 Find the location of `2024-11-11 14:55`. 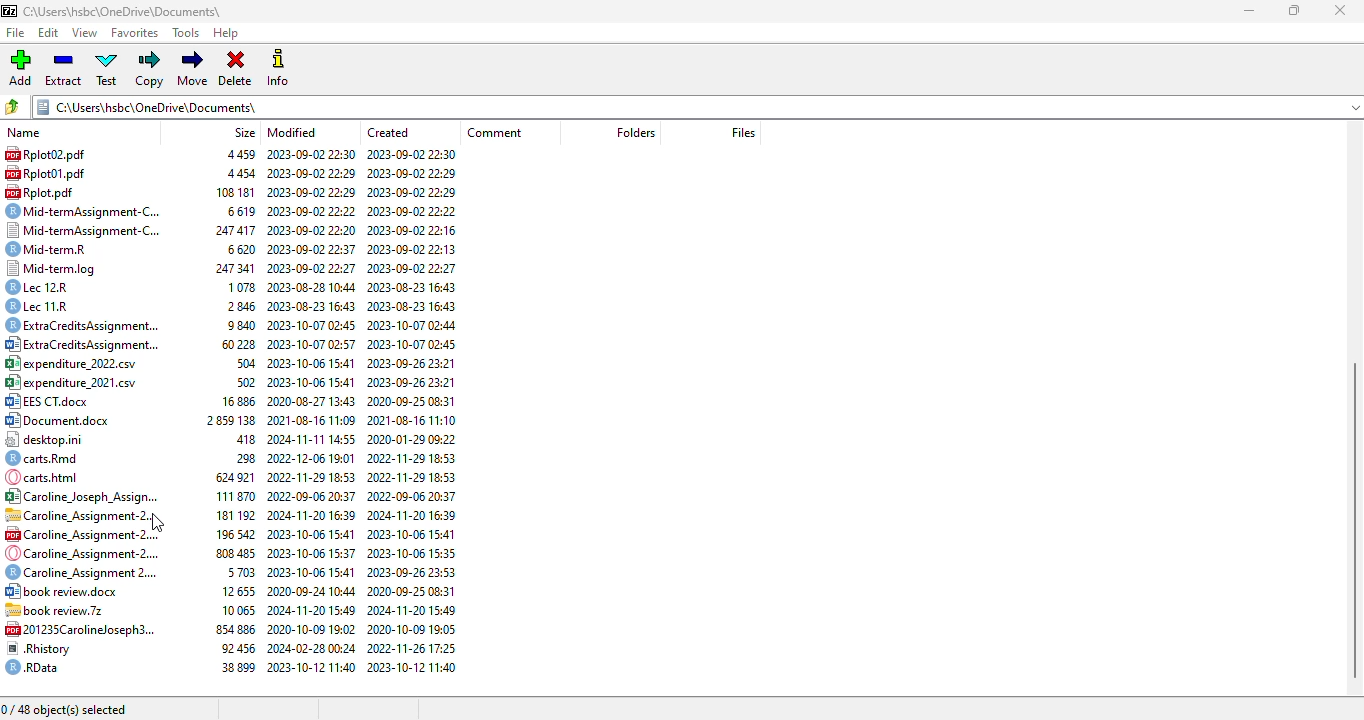

2024-11-11 14:55 is located at coordinates (312, 437).